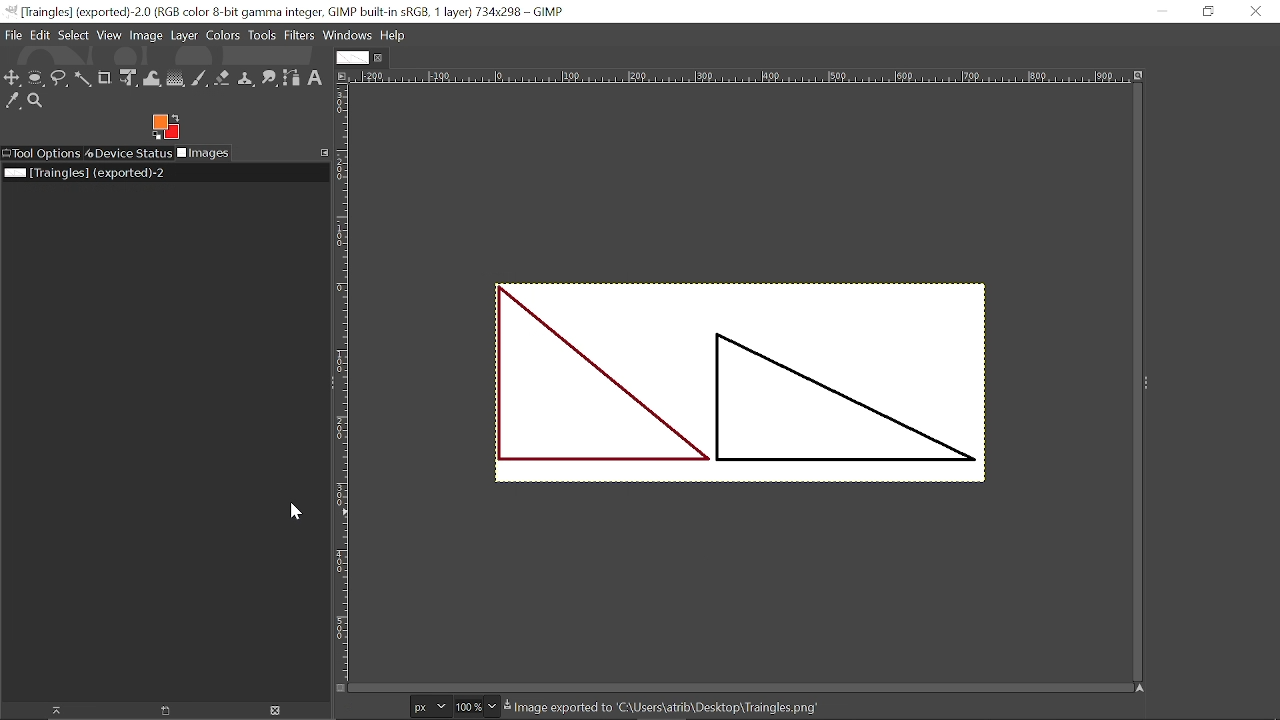  I want to click on Current image, so click(740, 384).